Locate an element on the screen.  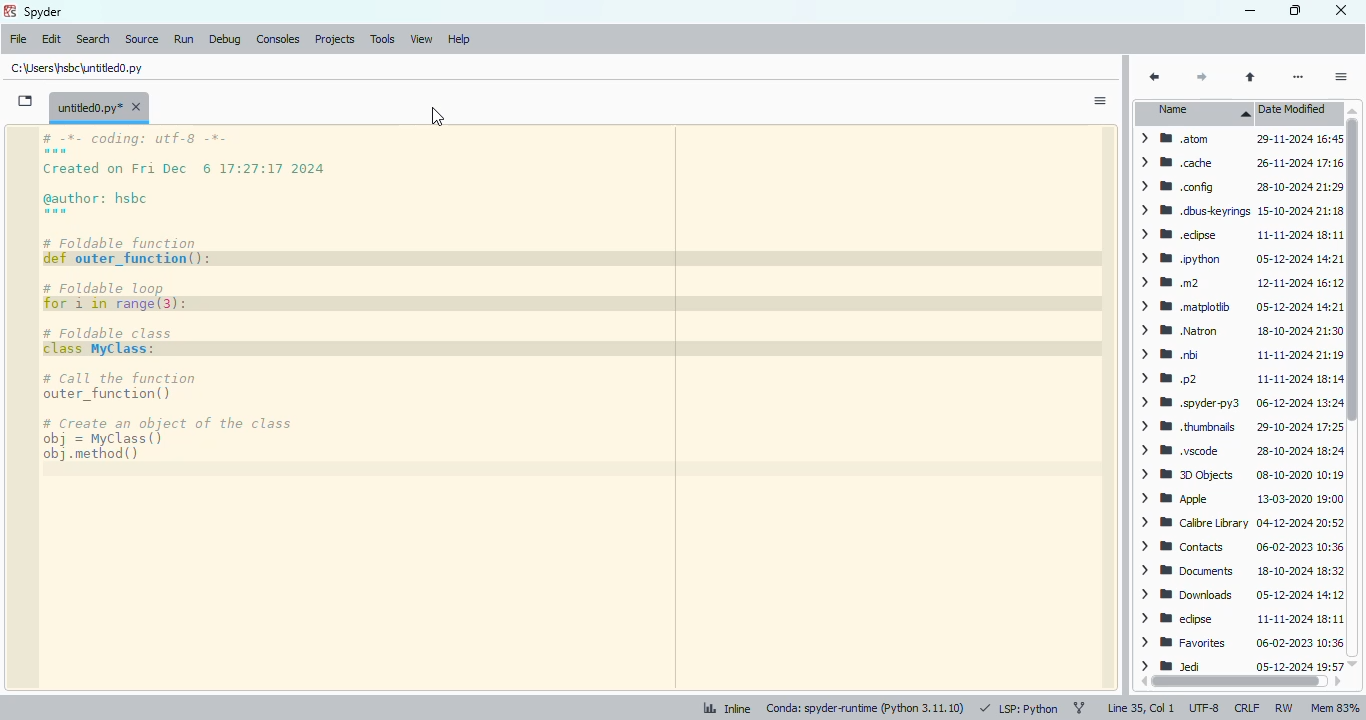
name is located at coordinates (1195, 112).